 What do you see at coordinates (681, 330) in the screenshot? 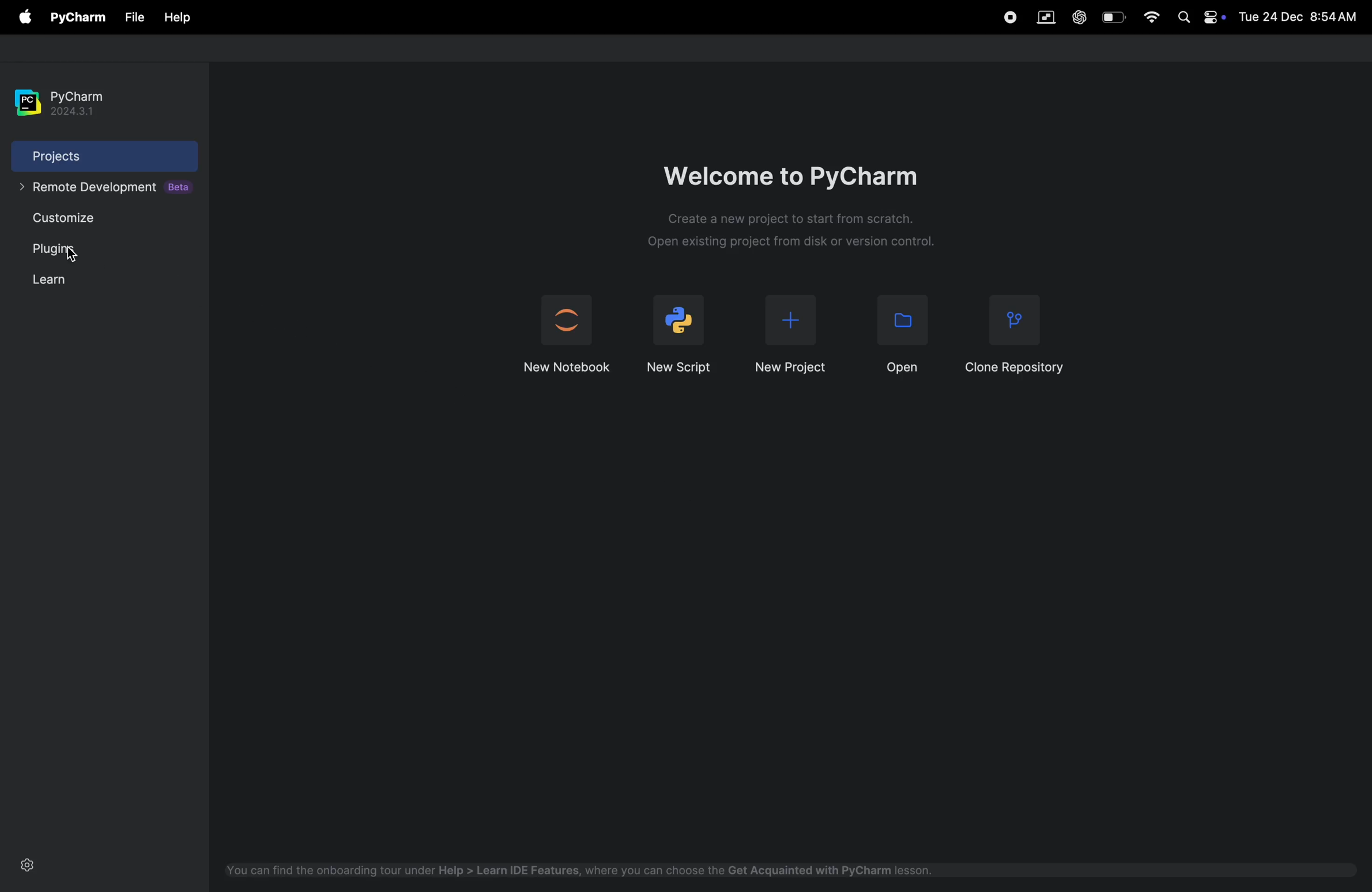
I see `Python script` at bounding box center [681, 330].